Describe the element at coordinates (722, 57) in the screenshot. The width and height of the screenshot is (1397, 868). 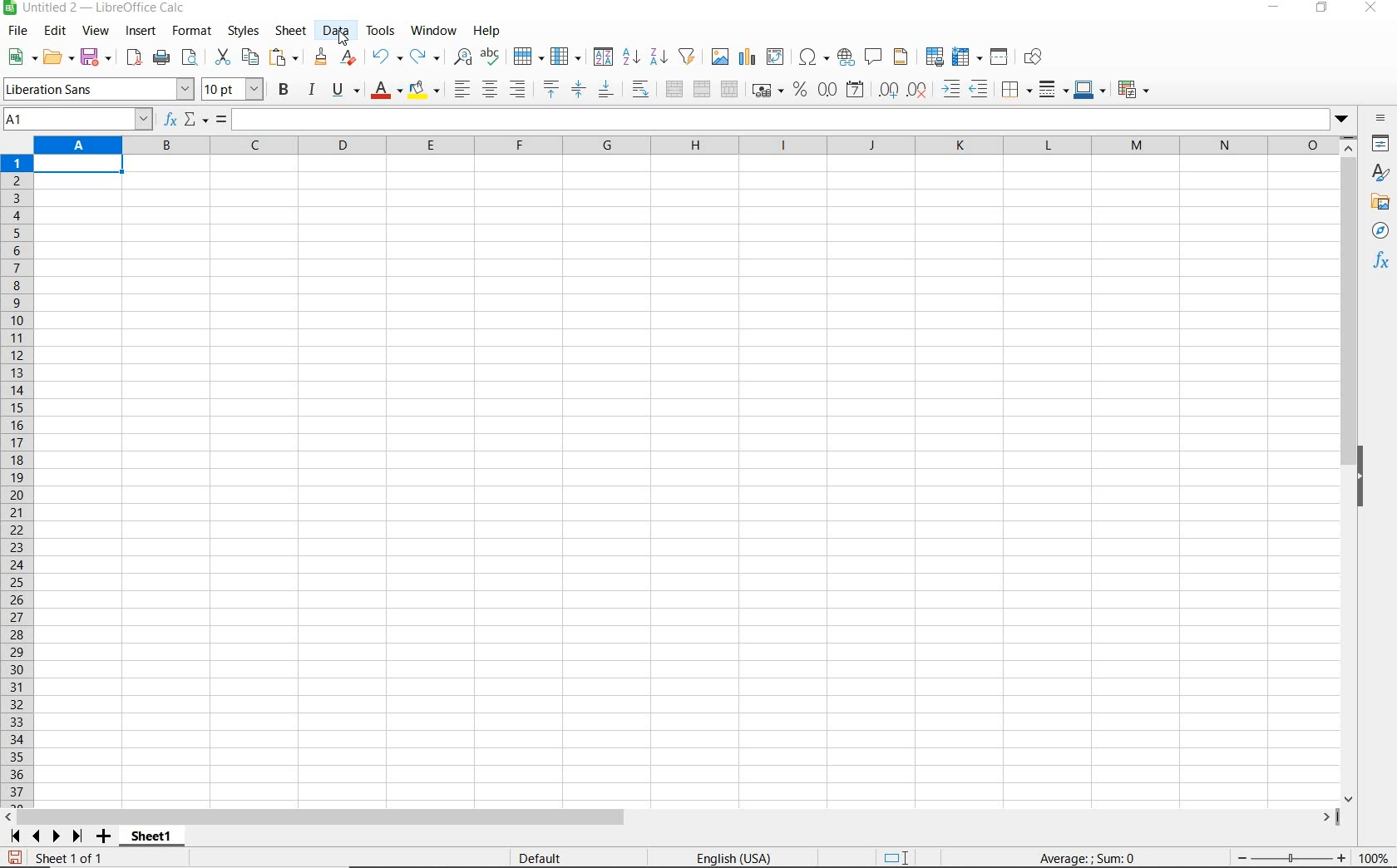
I see `insert image` at that location.